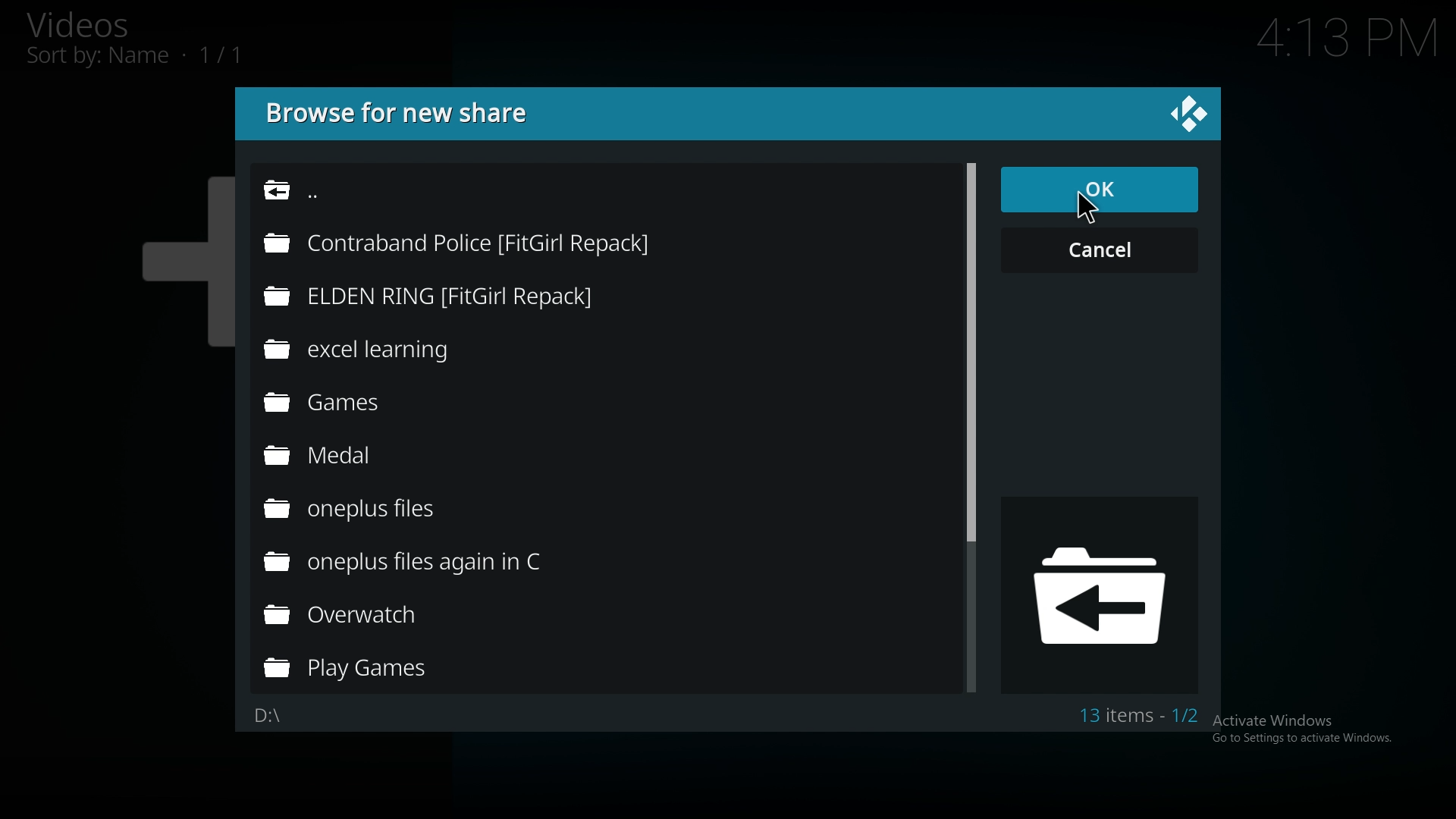 Image resolution: width=1456 pixels, height=819 pixels. I want to click on folder, so click(375, 615).